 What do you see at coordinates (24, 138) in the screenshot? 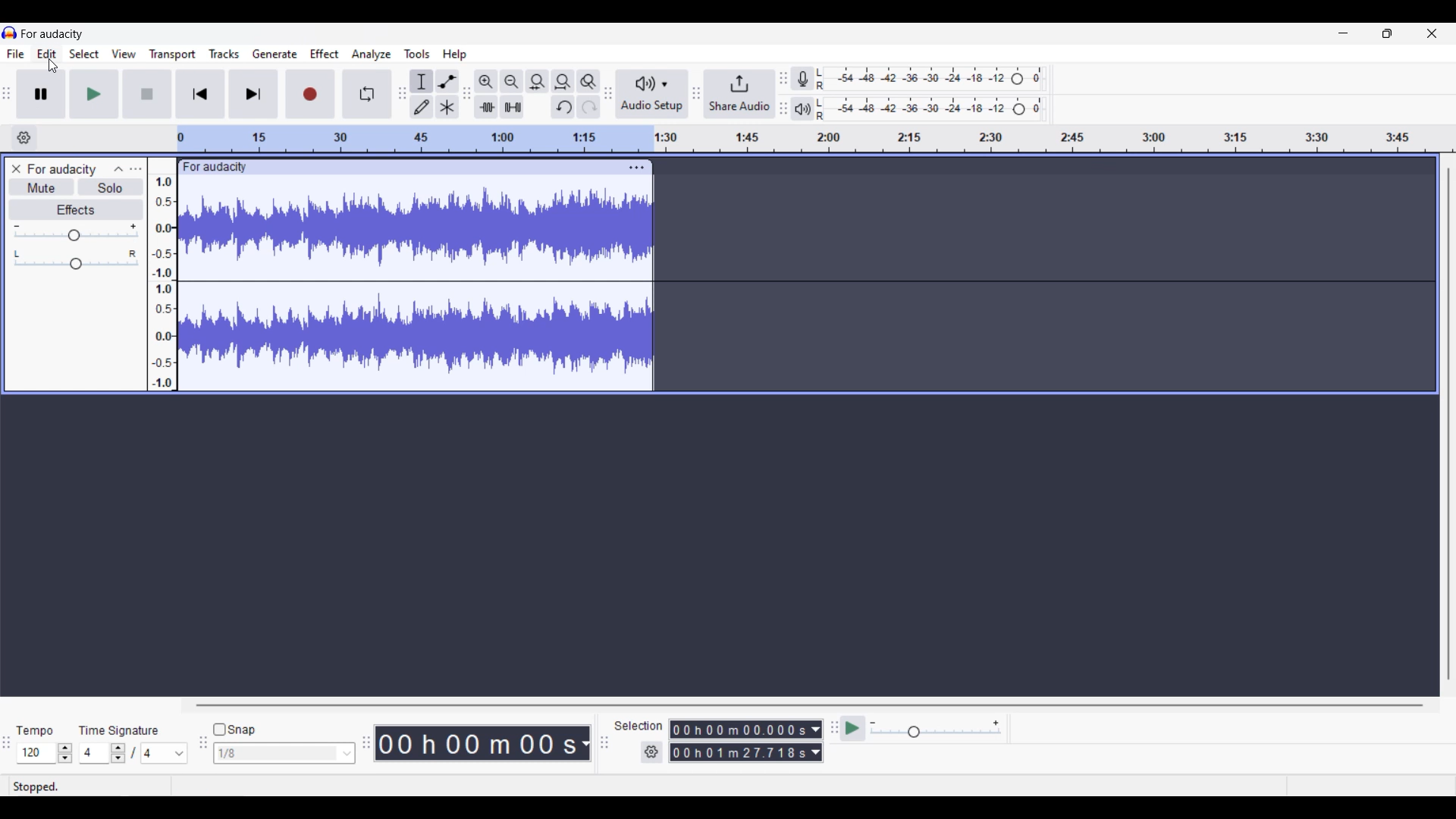
I see `Timeline settings` at bounding box center [24, 138].